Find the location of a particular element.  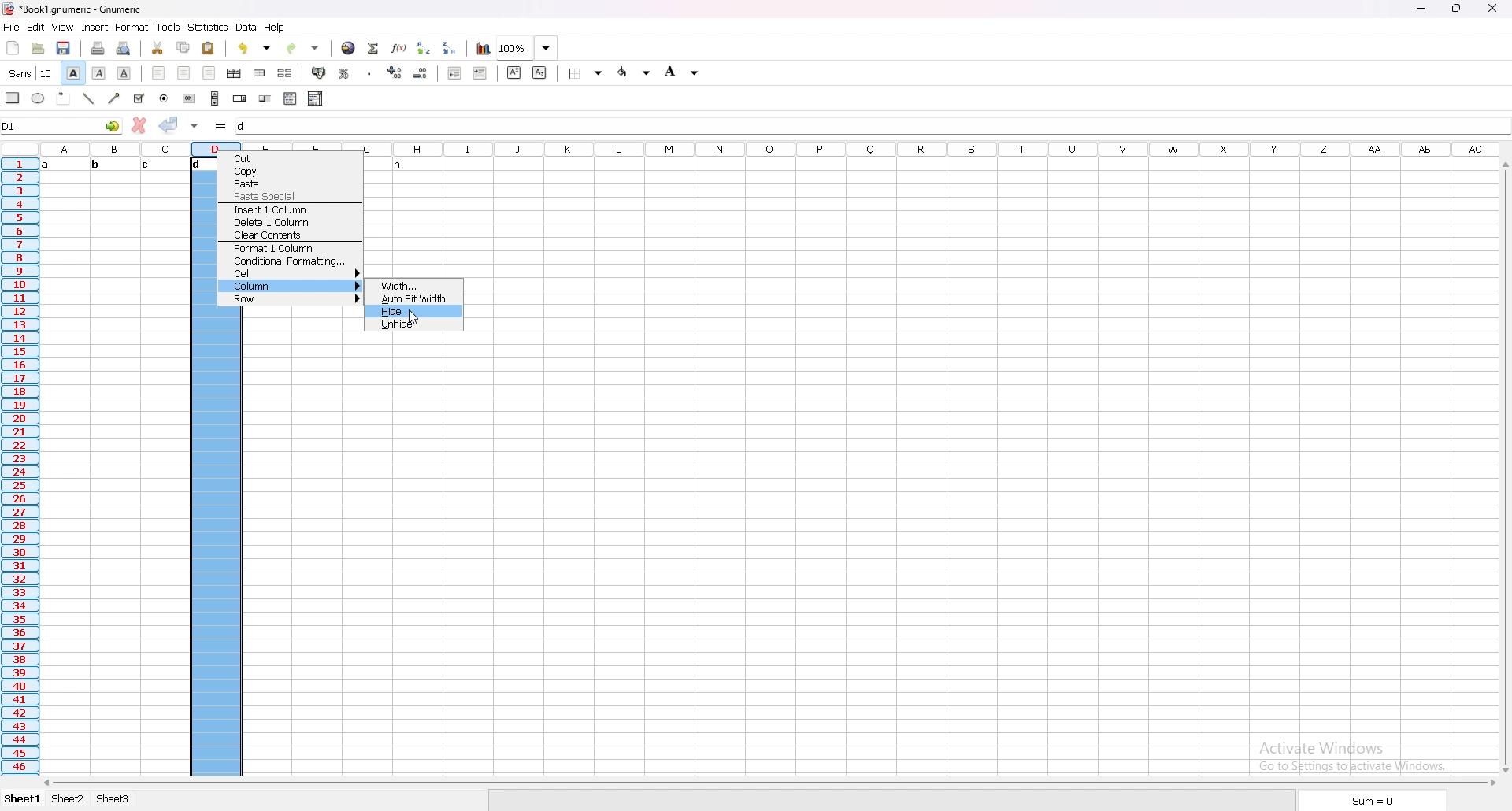

paste is located at coordinates (209, 48).